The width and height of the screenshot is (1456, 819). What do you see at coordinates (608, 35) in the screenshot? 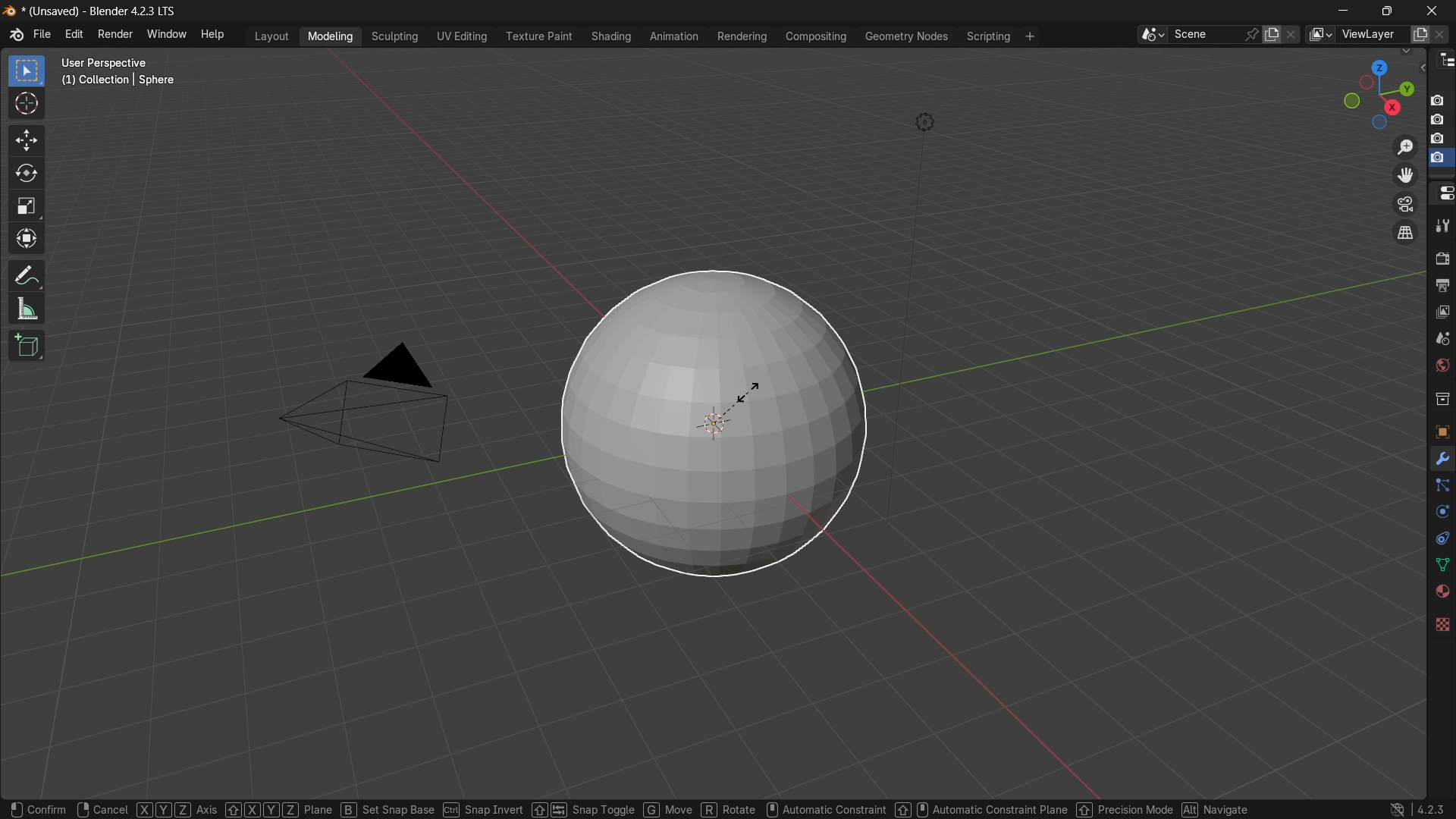
I see `shading menu` at bounding box center [608, 35].